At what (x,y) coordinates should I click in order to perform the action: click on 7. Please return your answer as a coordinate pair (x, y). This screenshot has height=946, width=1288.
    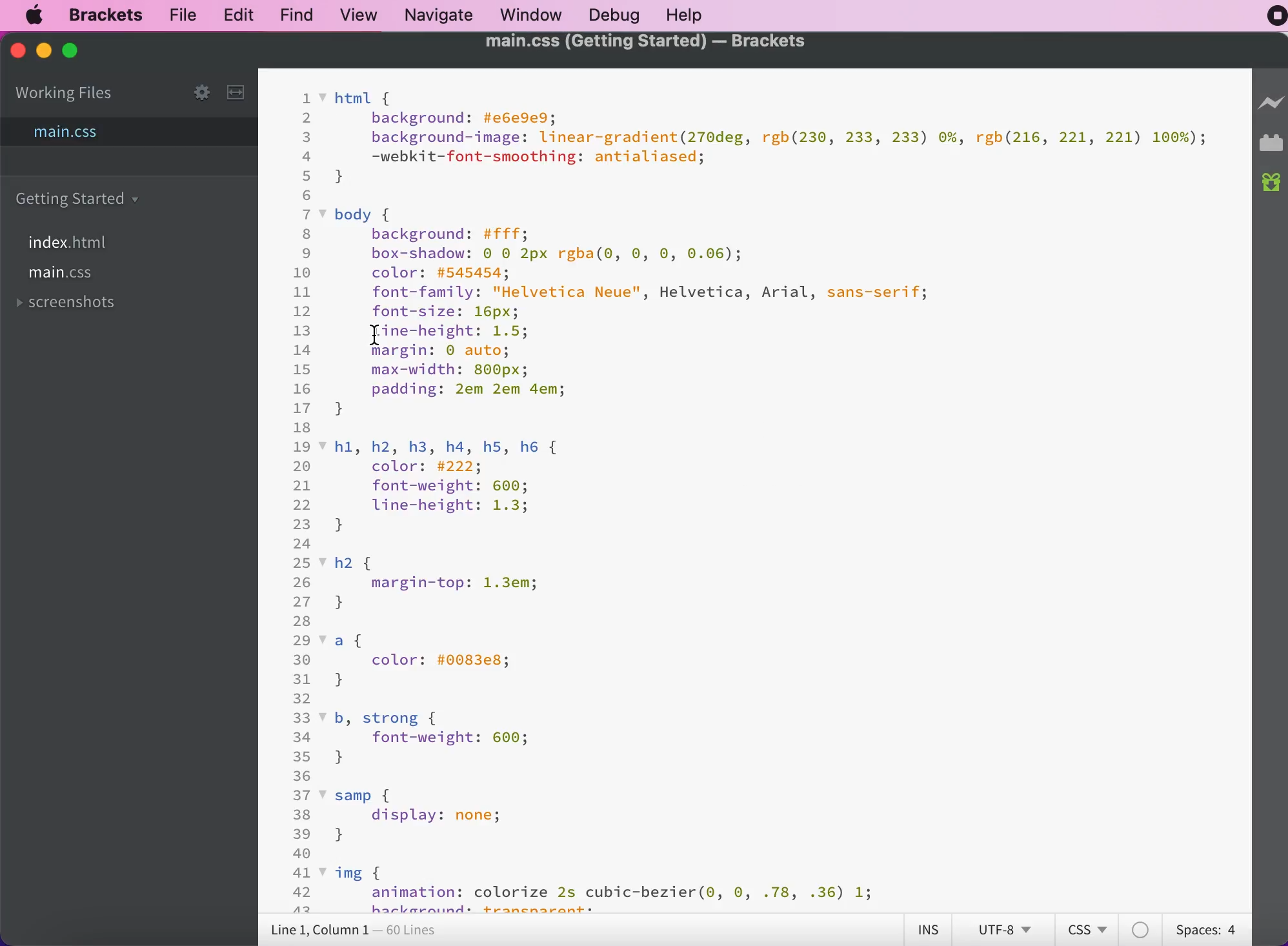
    Looking at the image, I should click on (306, 215).